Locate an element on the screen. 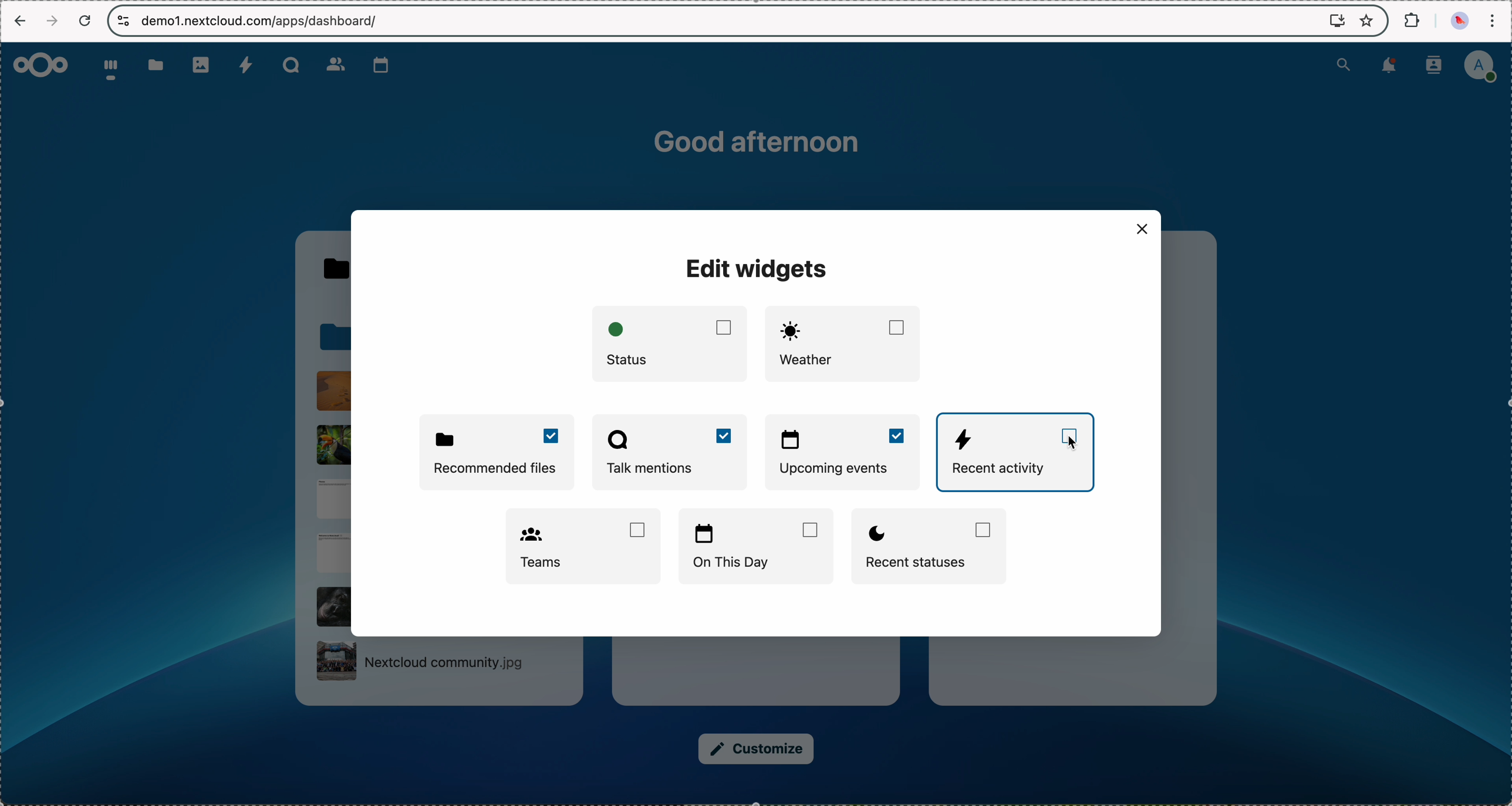 This screenshot has width=1512, height=806. on this day is located at coordinates (757, 545).